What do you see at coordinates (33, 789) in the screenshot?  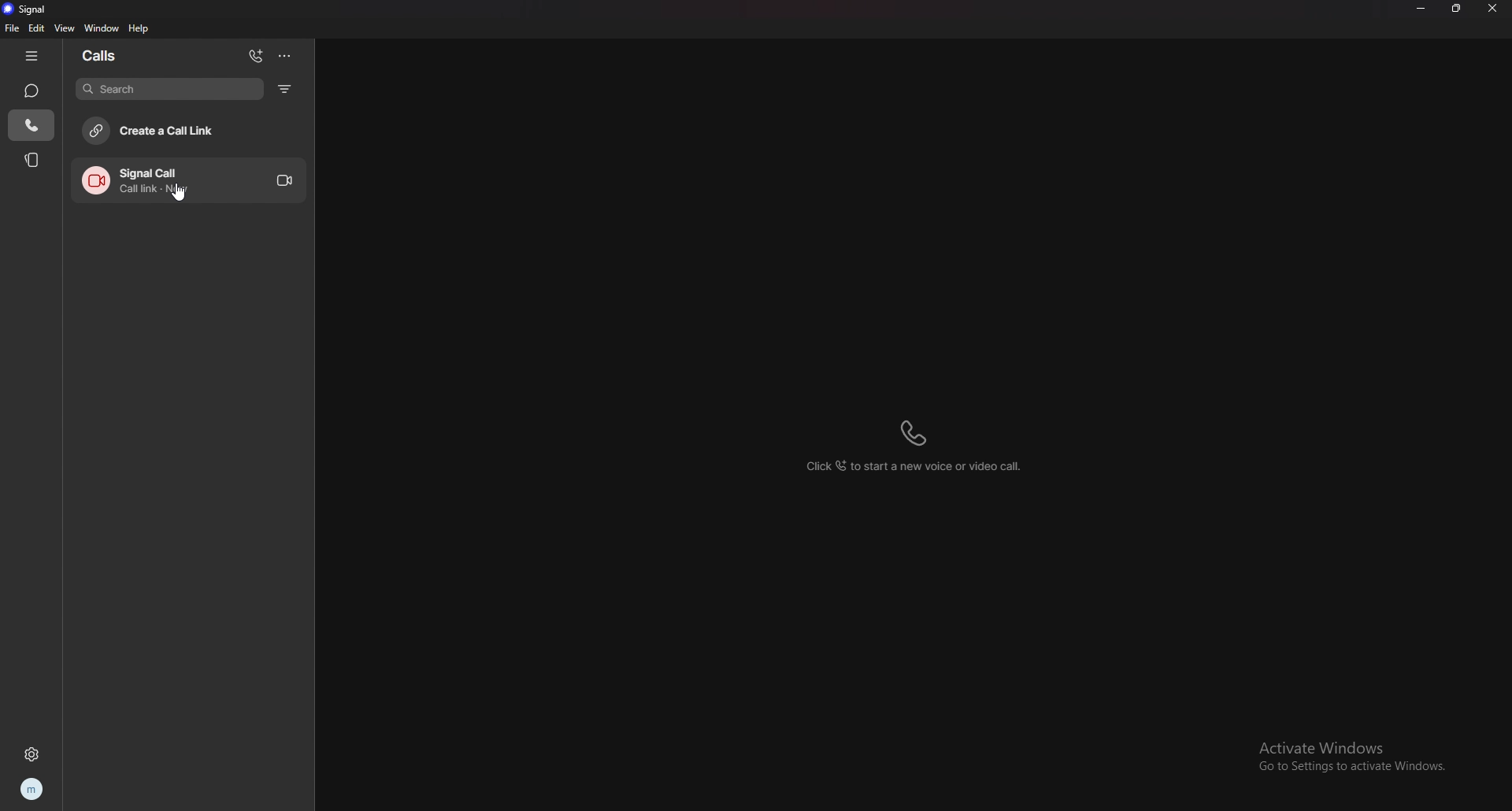 I see `profile` at bounding box center [33, 789].